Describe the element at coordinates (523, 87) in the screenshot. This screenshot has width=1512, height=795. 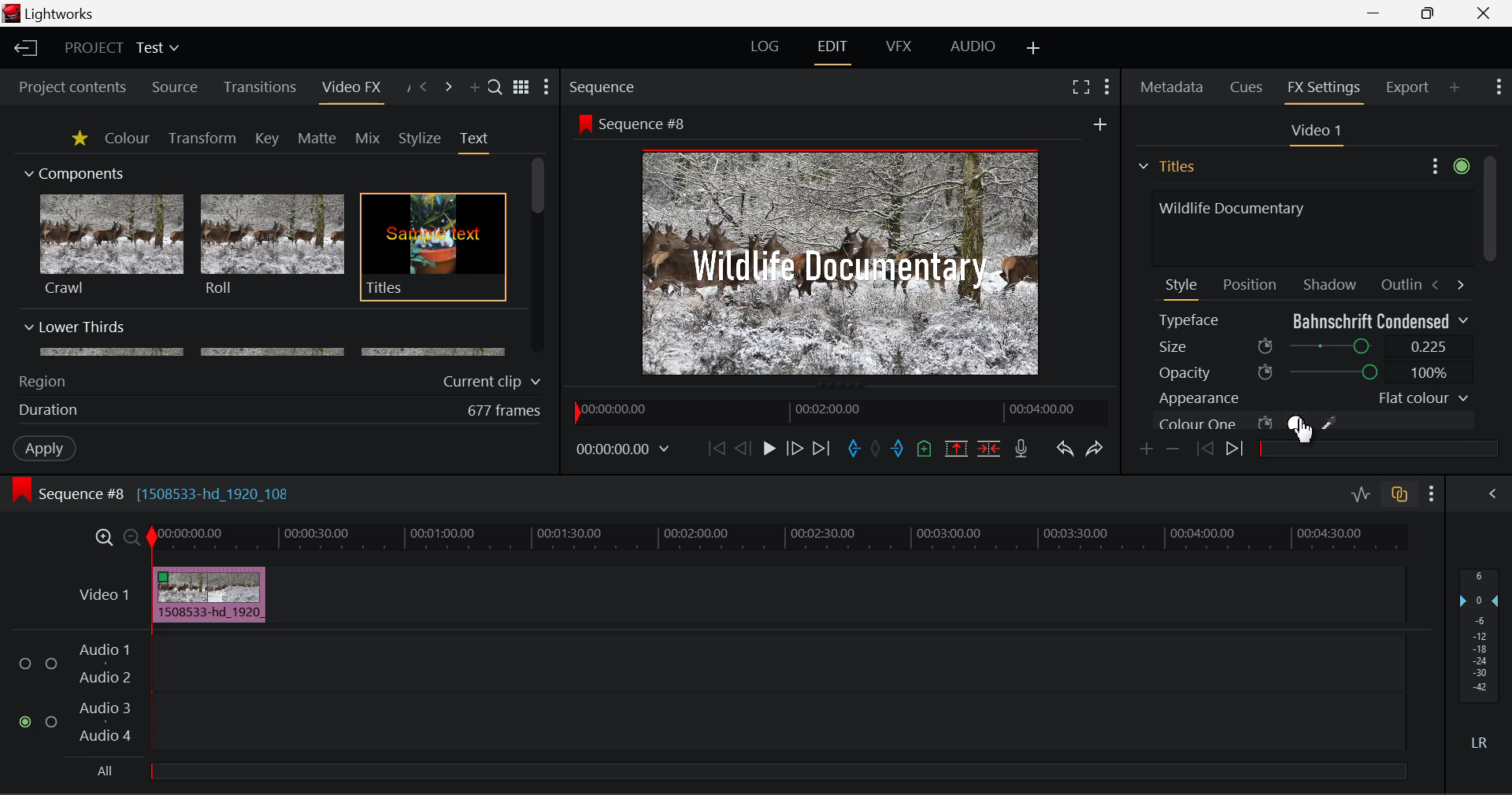
I see `Toggle list and title view` at that location.